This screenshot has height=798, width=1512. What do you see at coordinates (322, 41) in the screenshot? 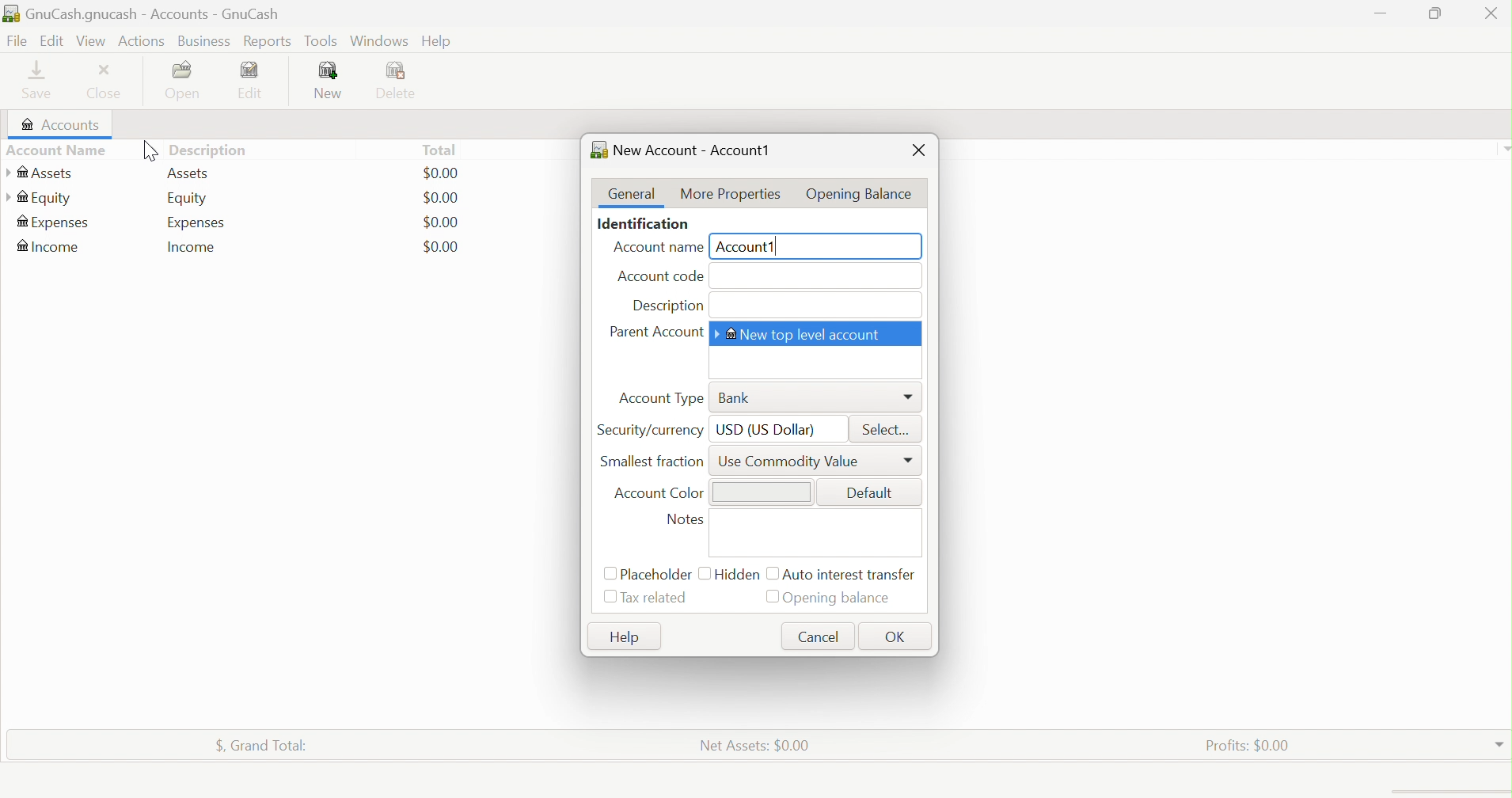
I see `Tools` at bounding box center [322, 41].